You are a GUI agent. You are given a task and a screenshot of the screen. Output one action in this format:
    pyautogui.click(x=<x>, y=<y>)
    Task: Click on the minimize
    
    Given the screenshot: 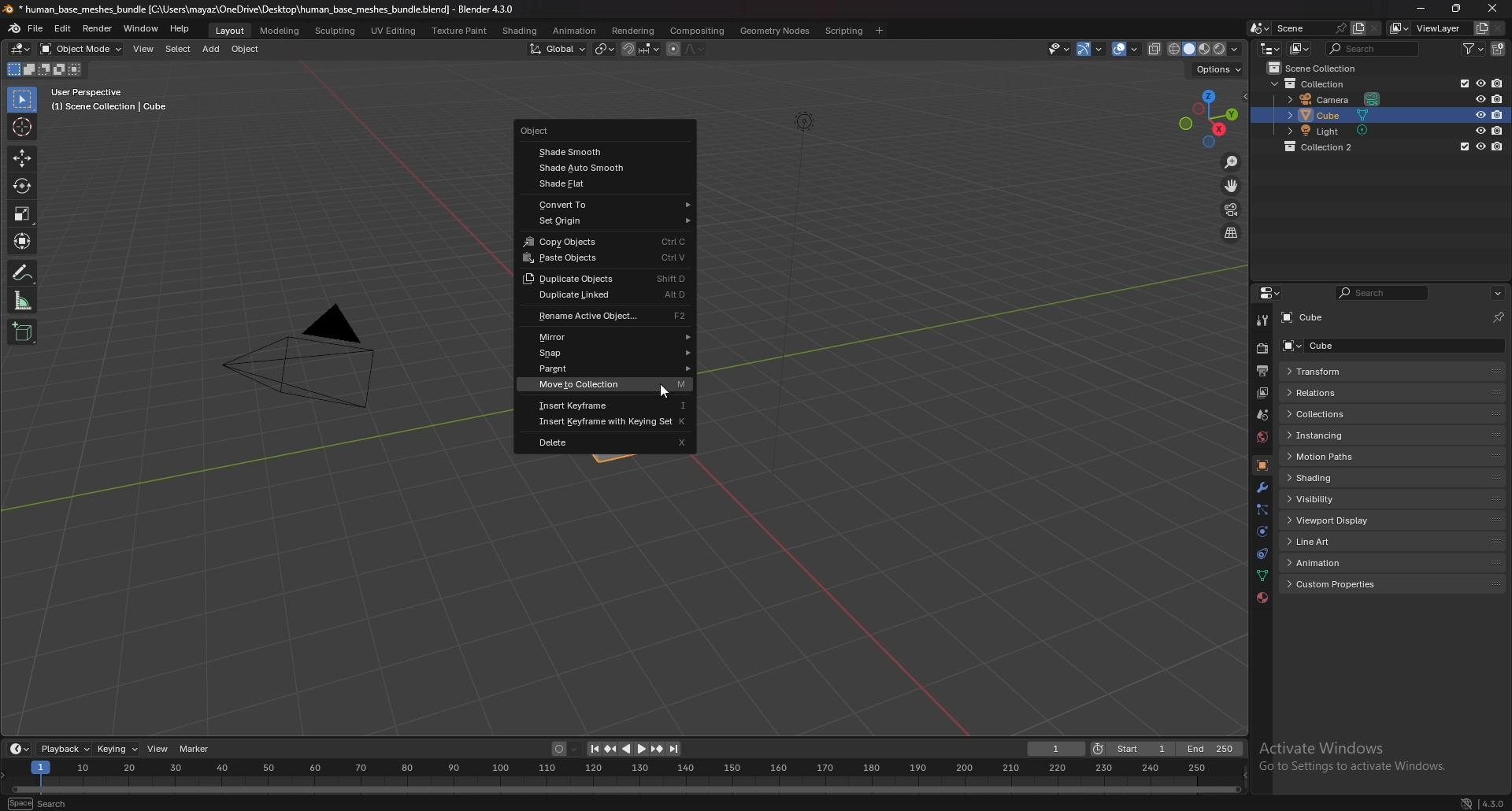 What is the action you would take?
    pyautogui.click(x=1421, y=7)
    